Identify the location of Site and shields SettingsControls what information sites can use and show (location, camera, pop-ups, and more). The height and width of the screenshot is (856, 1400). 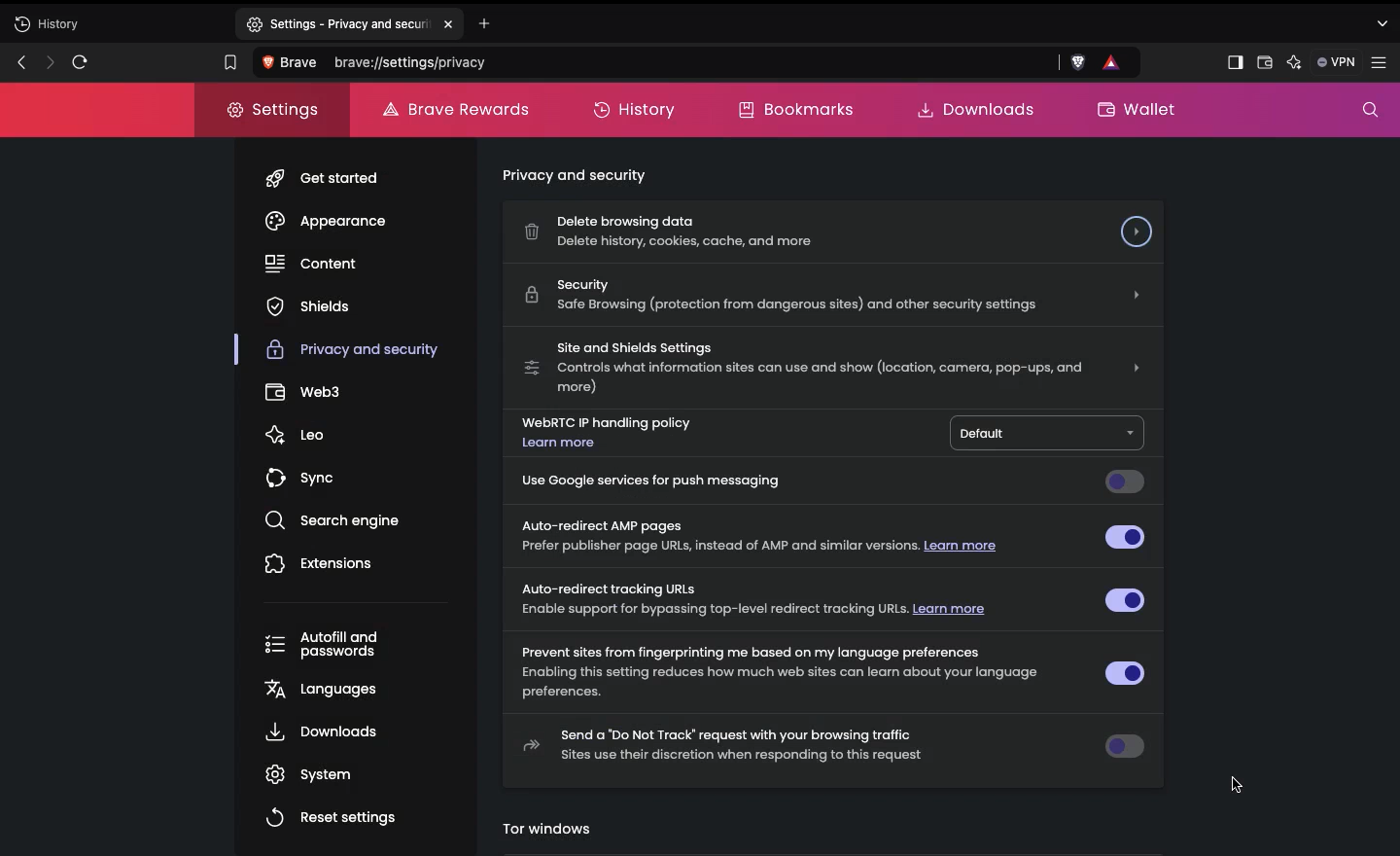
(839, 370).